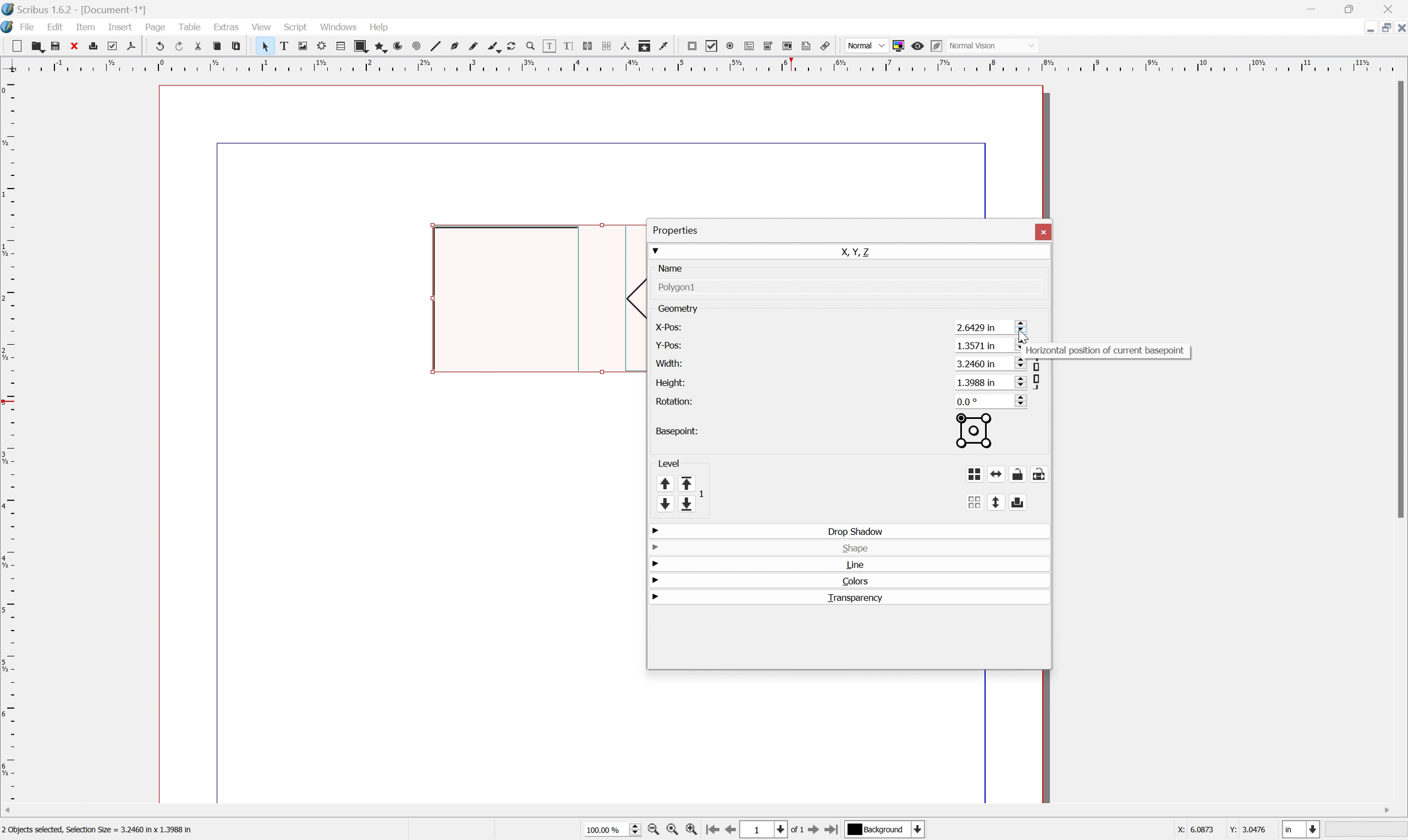 The image size is (1408, 840). What do you see at coordinates (1365, 29) in the screenshot?
I see `Minimize` at bounding box center [1365, 29].